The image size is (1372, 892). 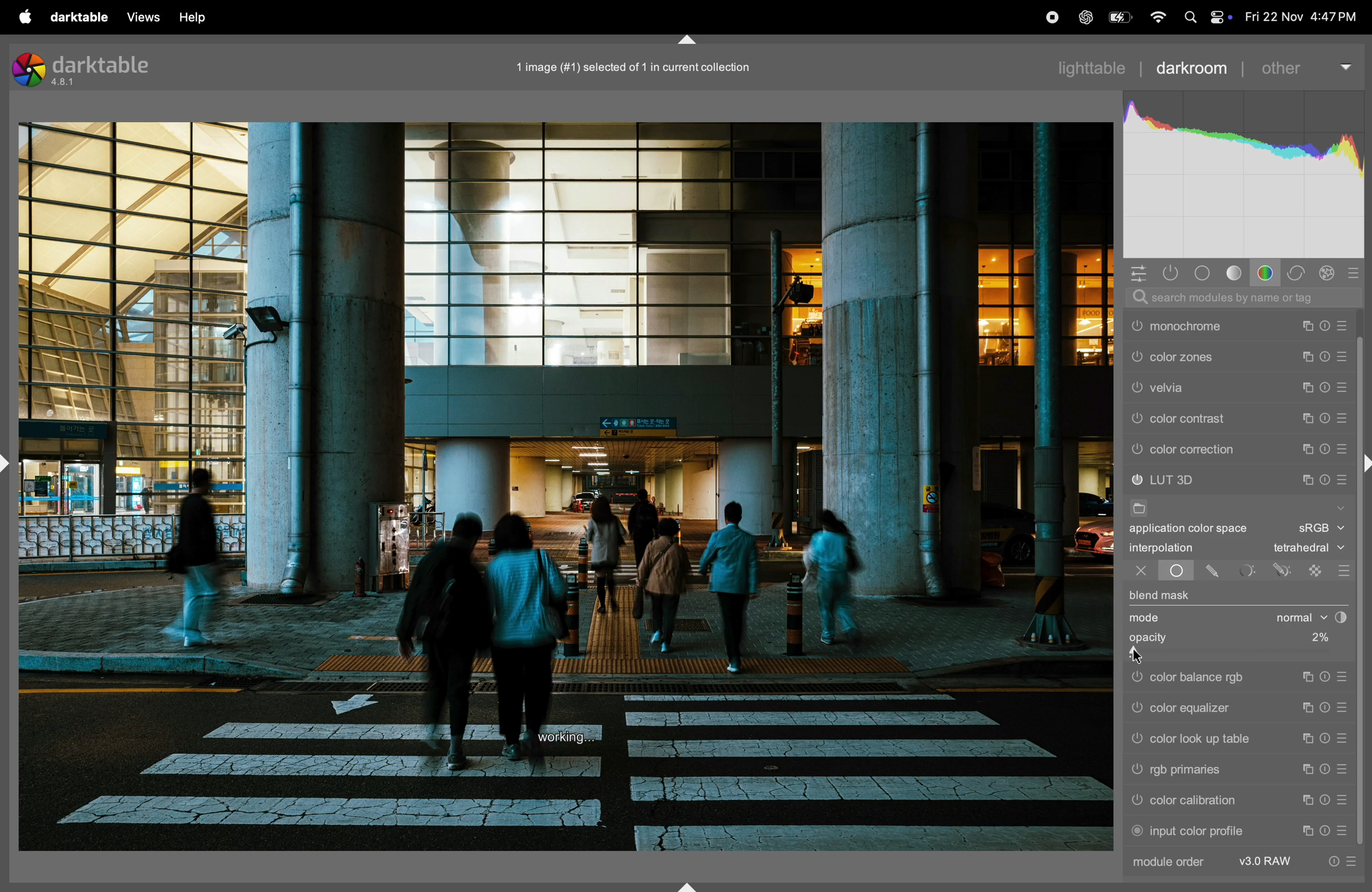 I want to click on interpolation, so click(x=1173, y=549).